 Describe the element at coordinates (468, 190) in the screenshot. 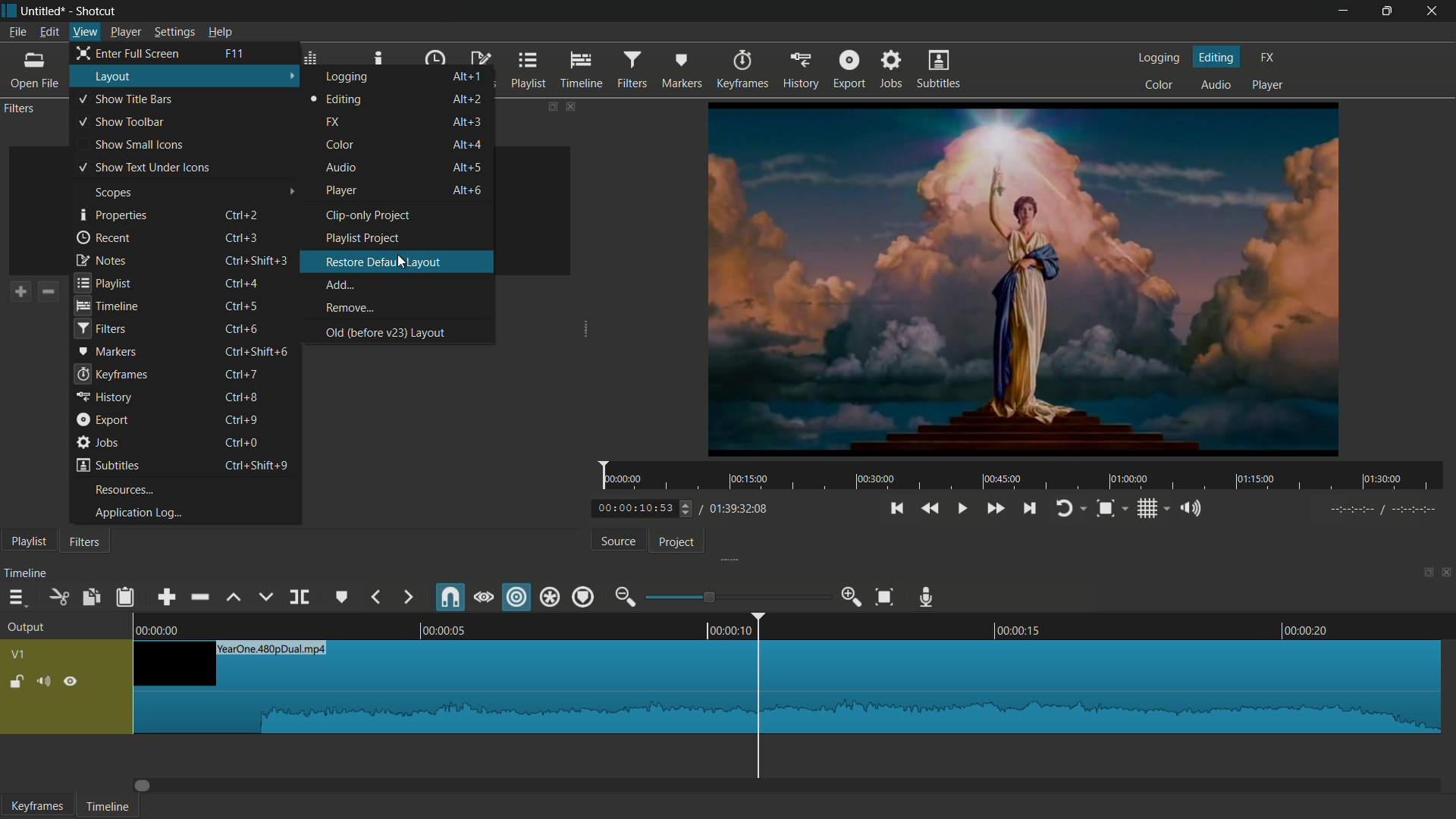

I see `keyboard shortcut` at that location.